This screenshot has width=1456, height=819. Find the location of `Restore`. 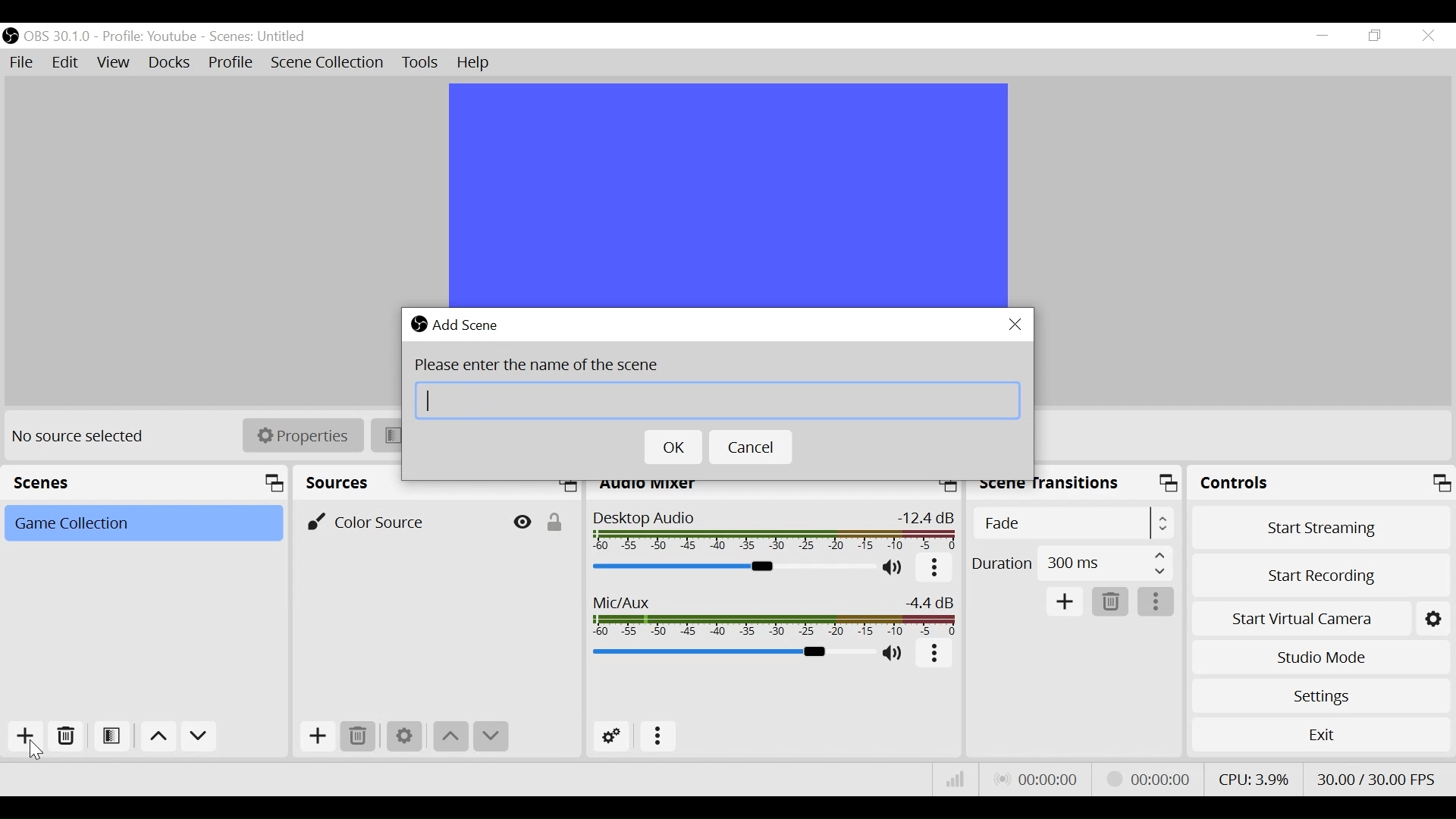

Restore is located at coordinates (1373, 36).